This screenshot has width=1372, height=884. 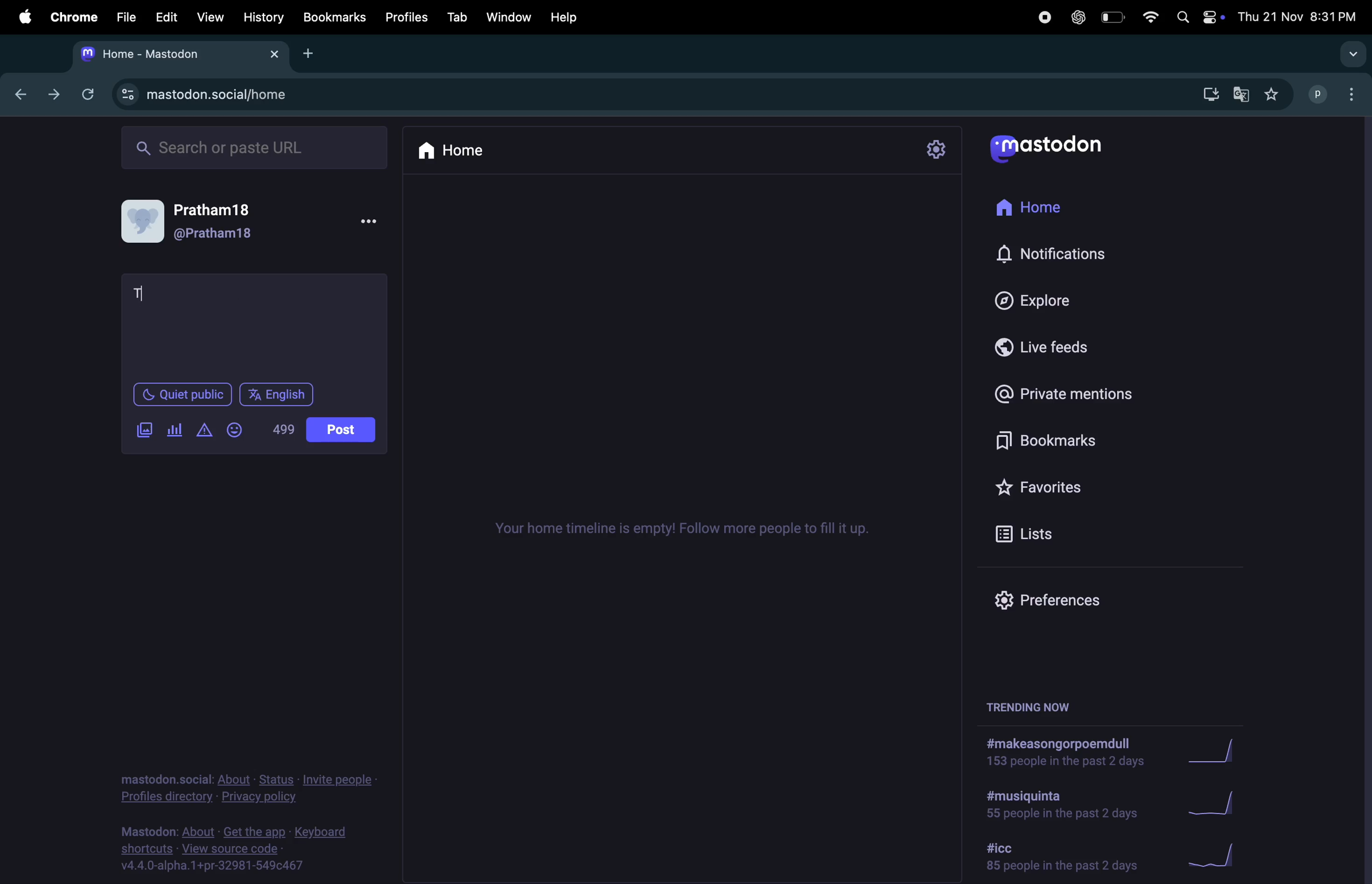 What do you see at coordinates (1056, 253) in the screenshot?
I see `notifications` at bounding box center [1056, 253].